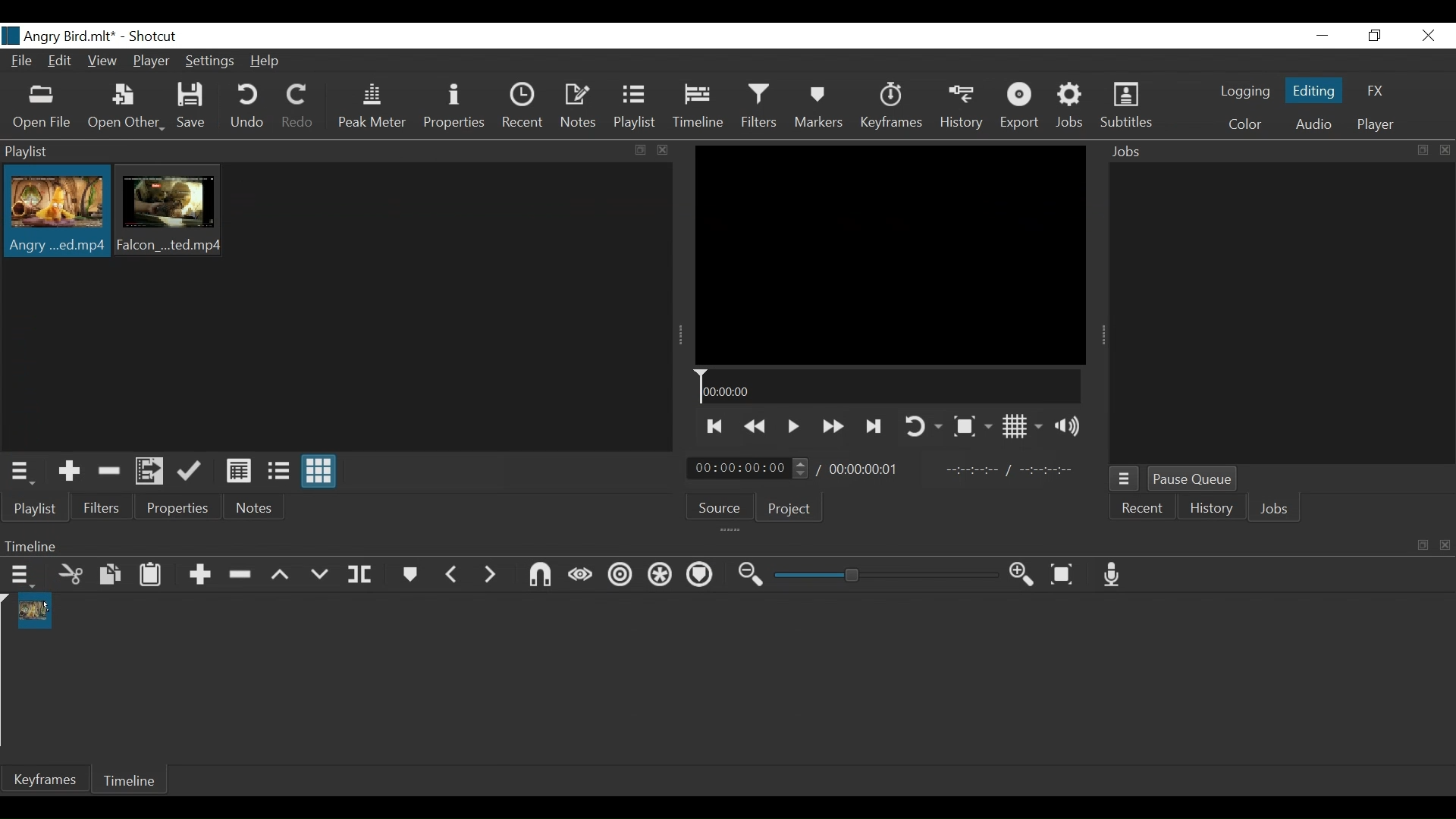  Describe the element at coordinates (21, 577) in the screenshot. I see `Timeline menu` at that location.